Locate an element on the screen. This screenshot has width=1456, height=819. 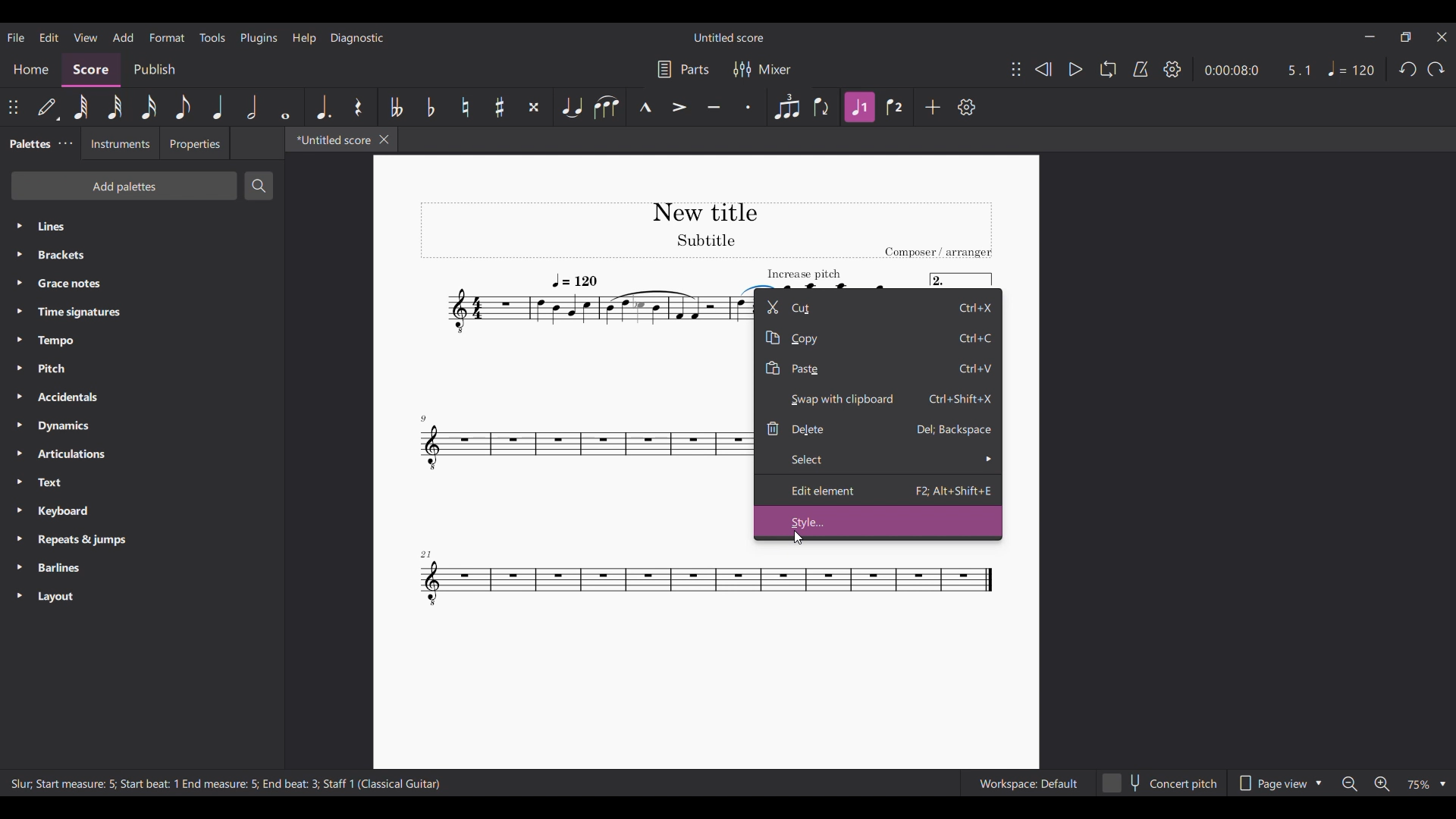
Properties is located at coordinates (196, 143).